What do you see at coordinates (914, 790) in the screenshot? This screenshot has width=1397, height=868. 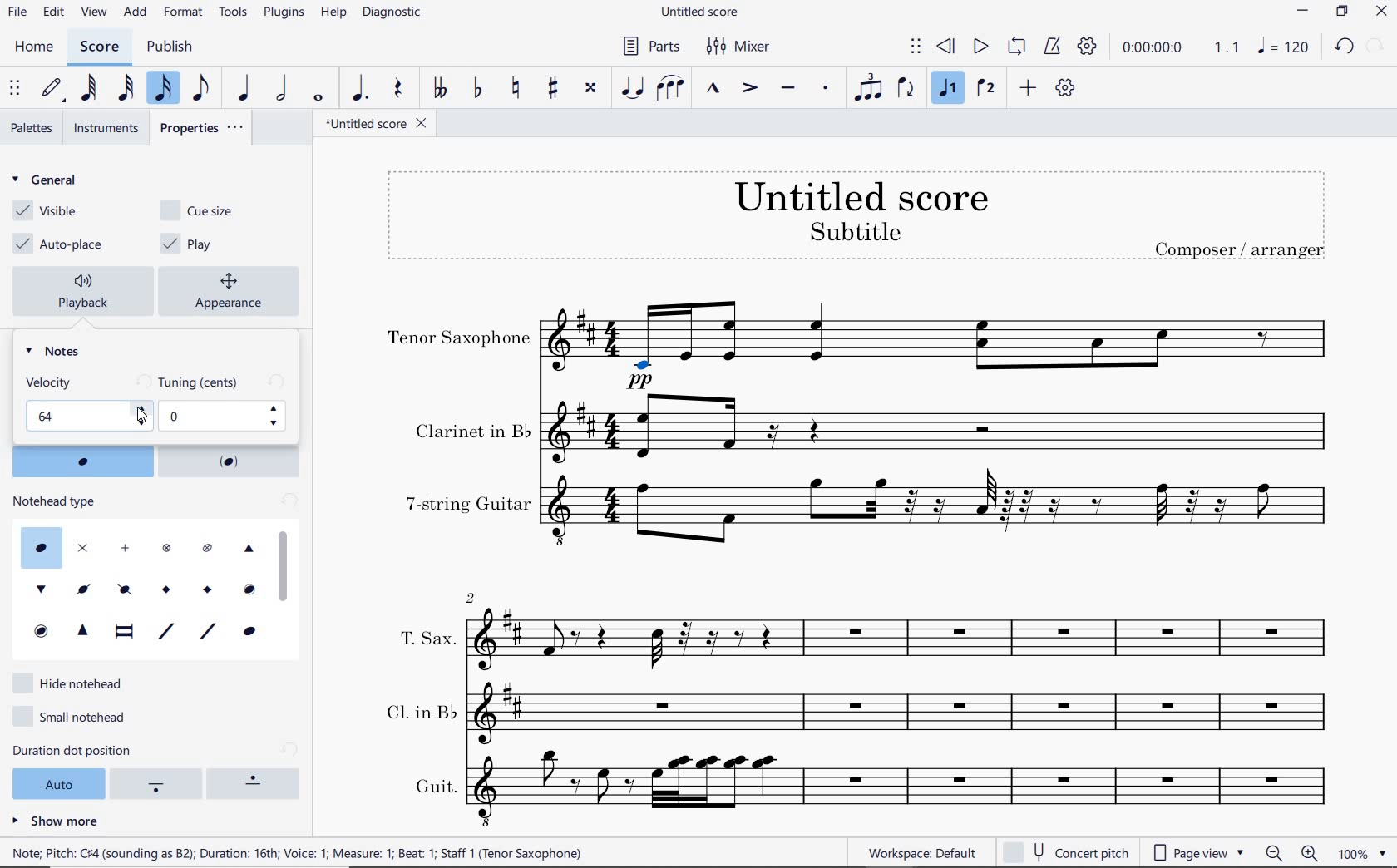 I see `Guit.` at bounding box center [914, 790].